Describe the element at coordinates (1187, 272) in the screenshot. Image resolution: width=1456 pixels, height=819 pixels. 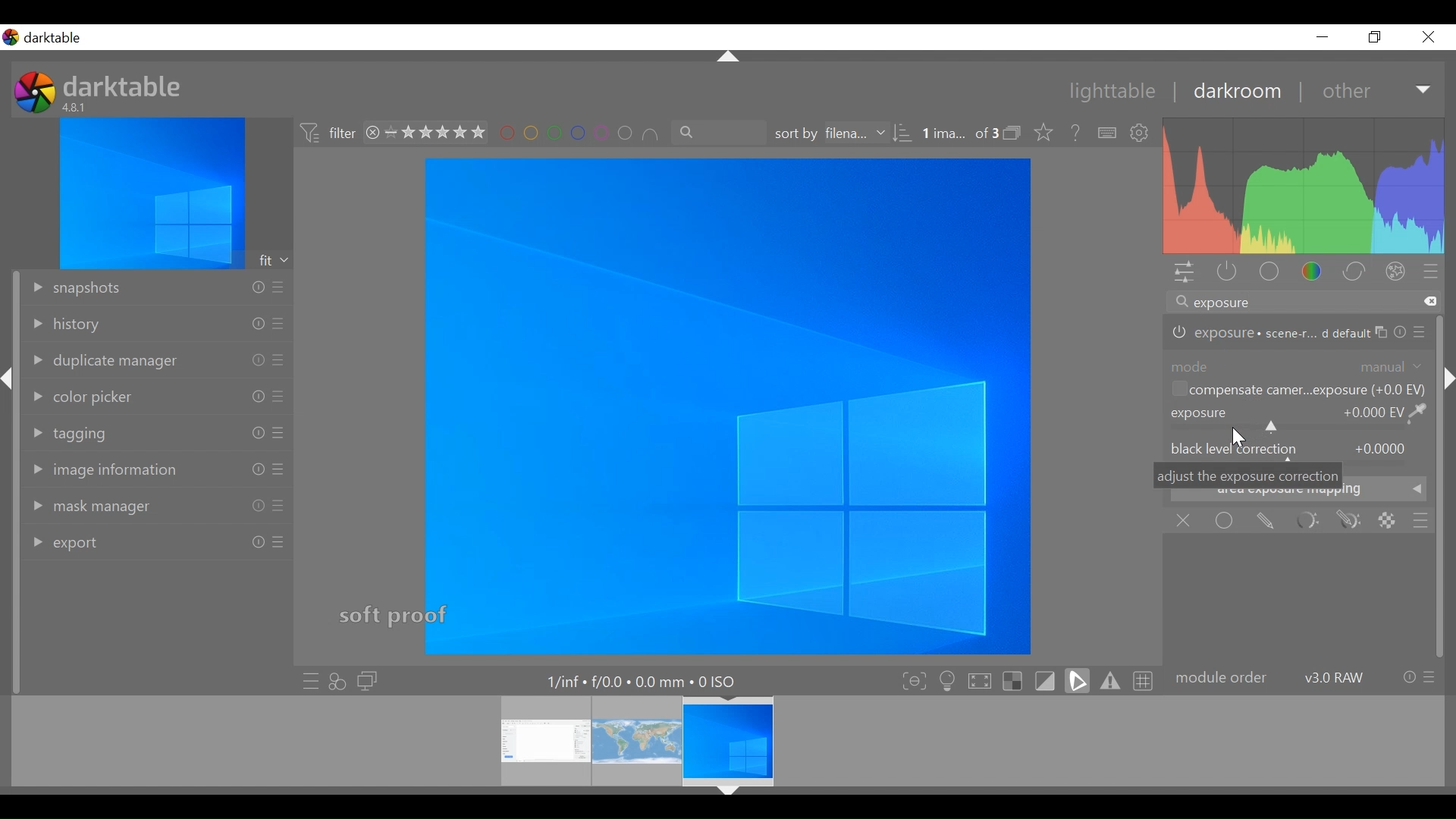
I see `quick access panel` at that location.